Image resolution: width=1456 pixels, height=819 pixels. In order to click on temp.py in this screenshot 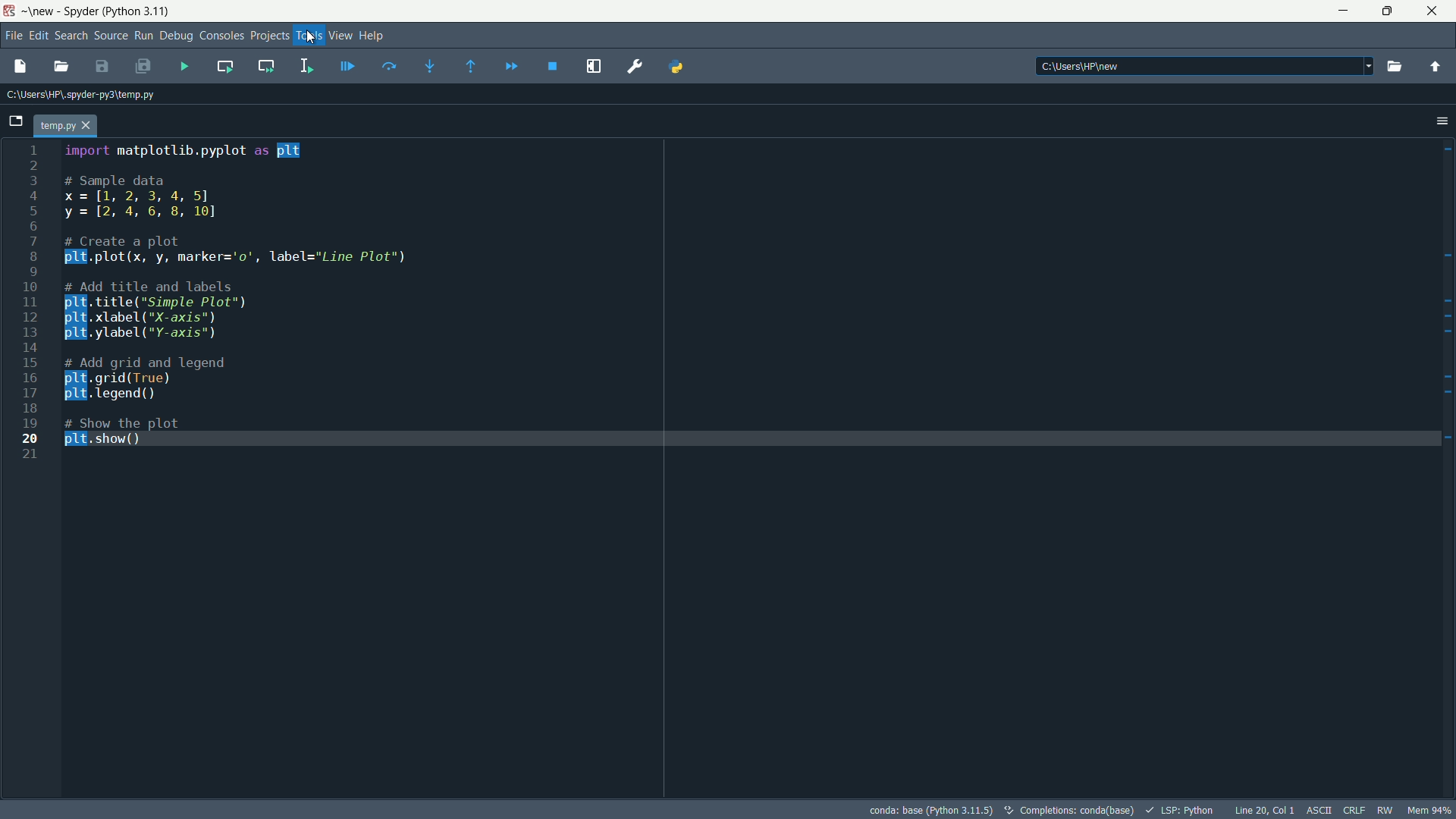, I will do `click(58, 124)`.